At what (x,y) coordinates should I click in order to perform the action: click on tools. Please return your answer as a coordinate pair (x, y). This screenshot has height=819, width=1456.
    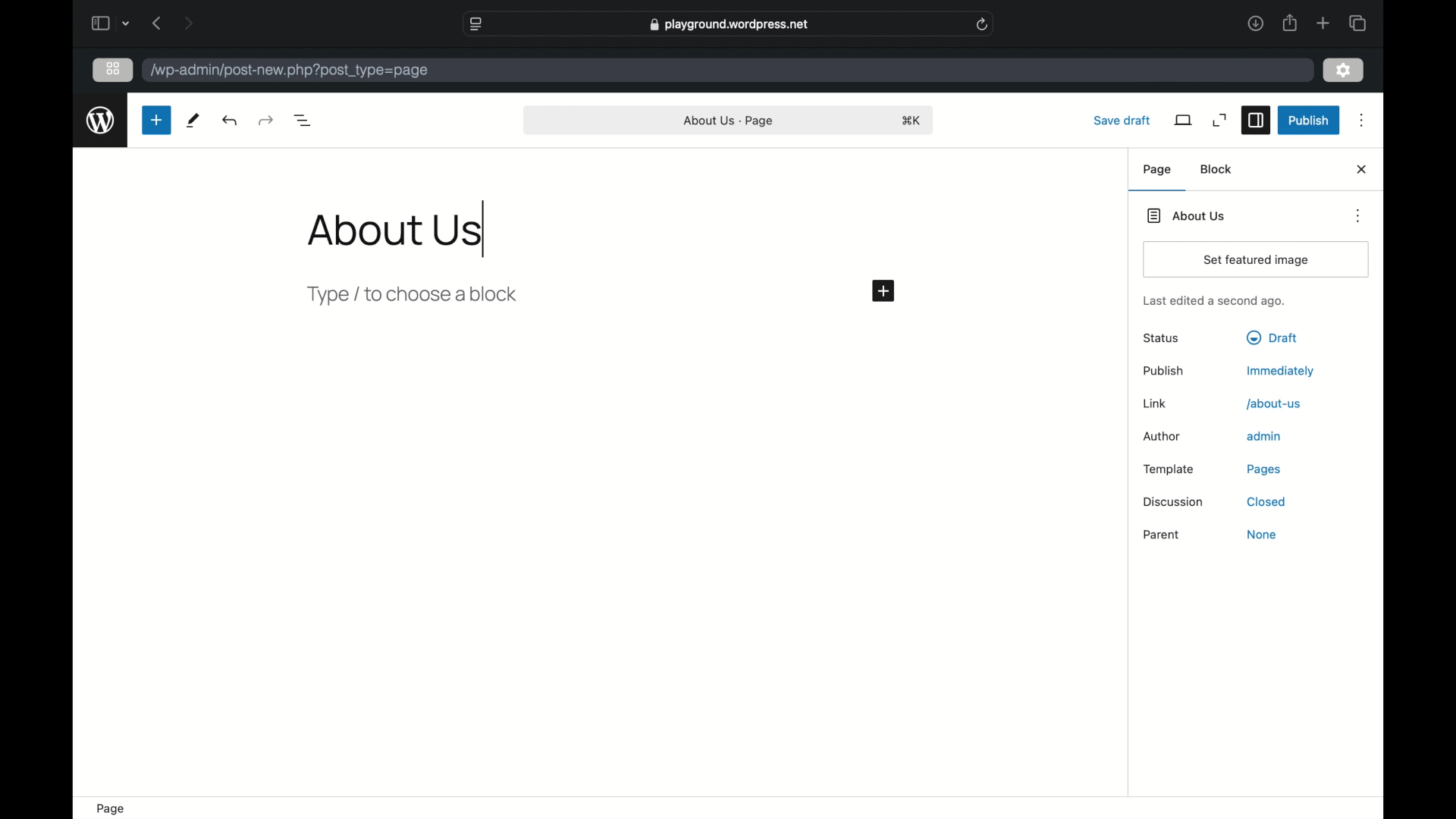
    Looking at the image, I should click on (193, 121).